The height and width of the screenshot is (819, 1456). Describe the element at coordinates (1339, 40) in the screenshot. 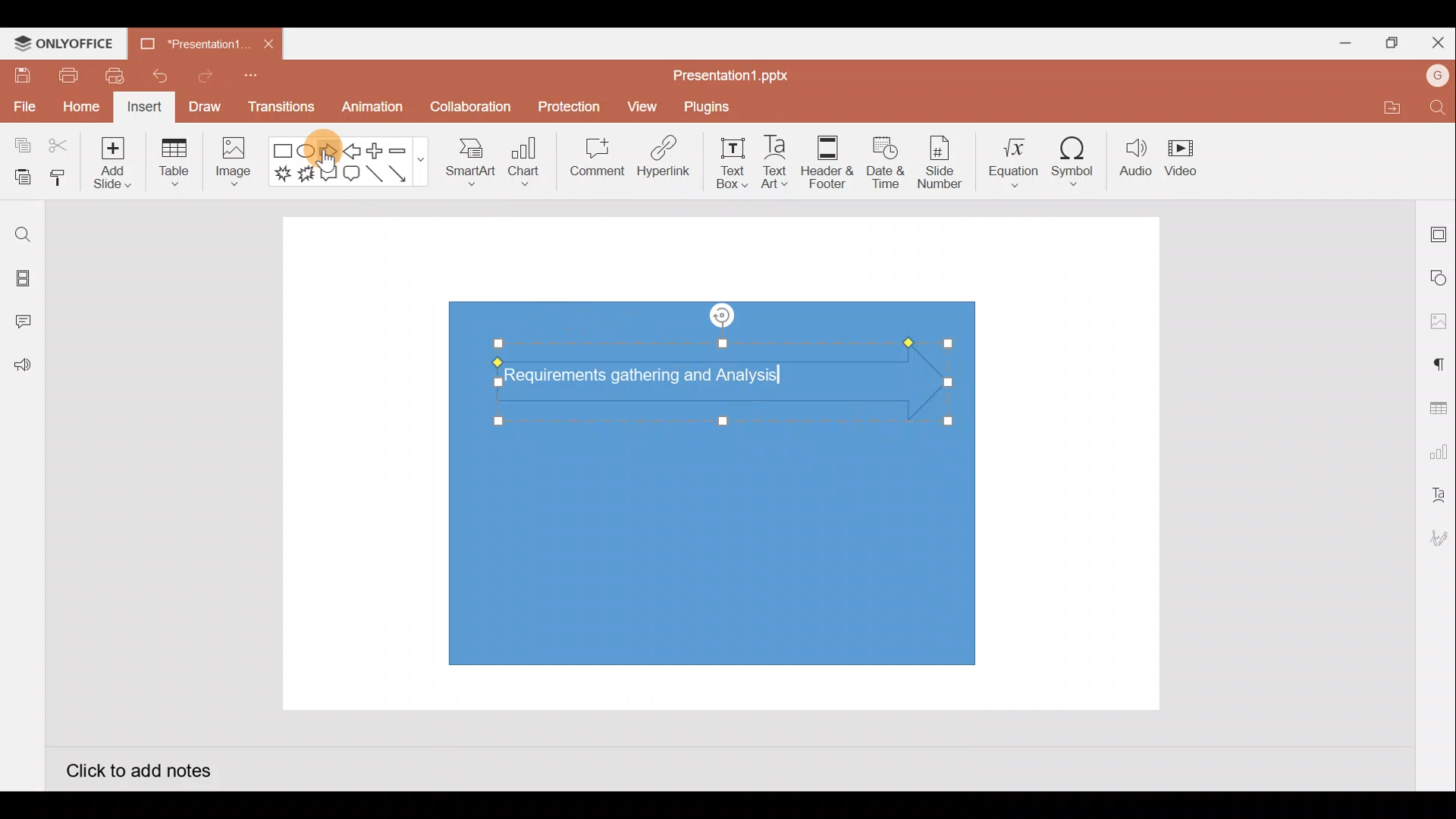

I see `Minimize` at that location.